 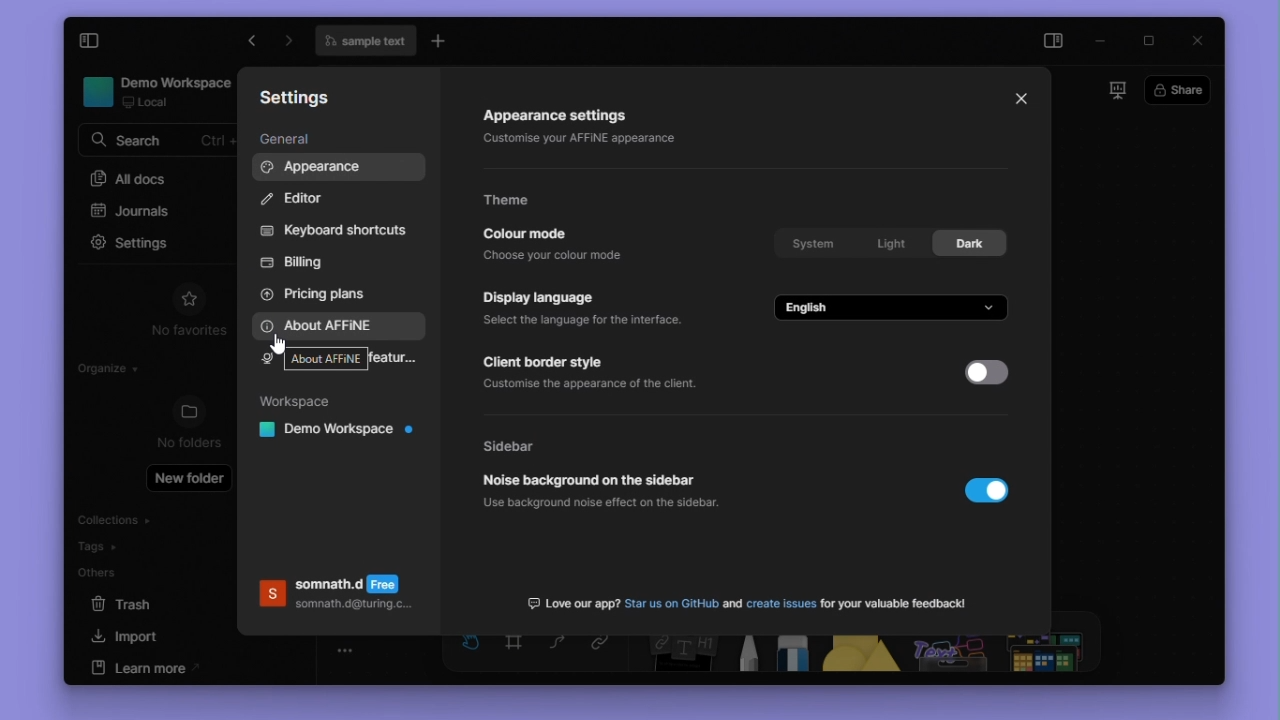 What do you see at coordinates (142, 520) in the screenshot?
I see `Collections` at bounding box center [142, 520].